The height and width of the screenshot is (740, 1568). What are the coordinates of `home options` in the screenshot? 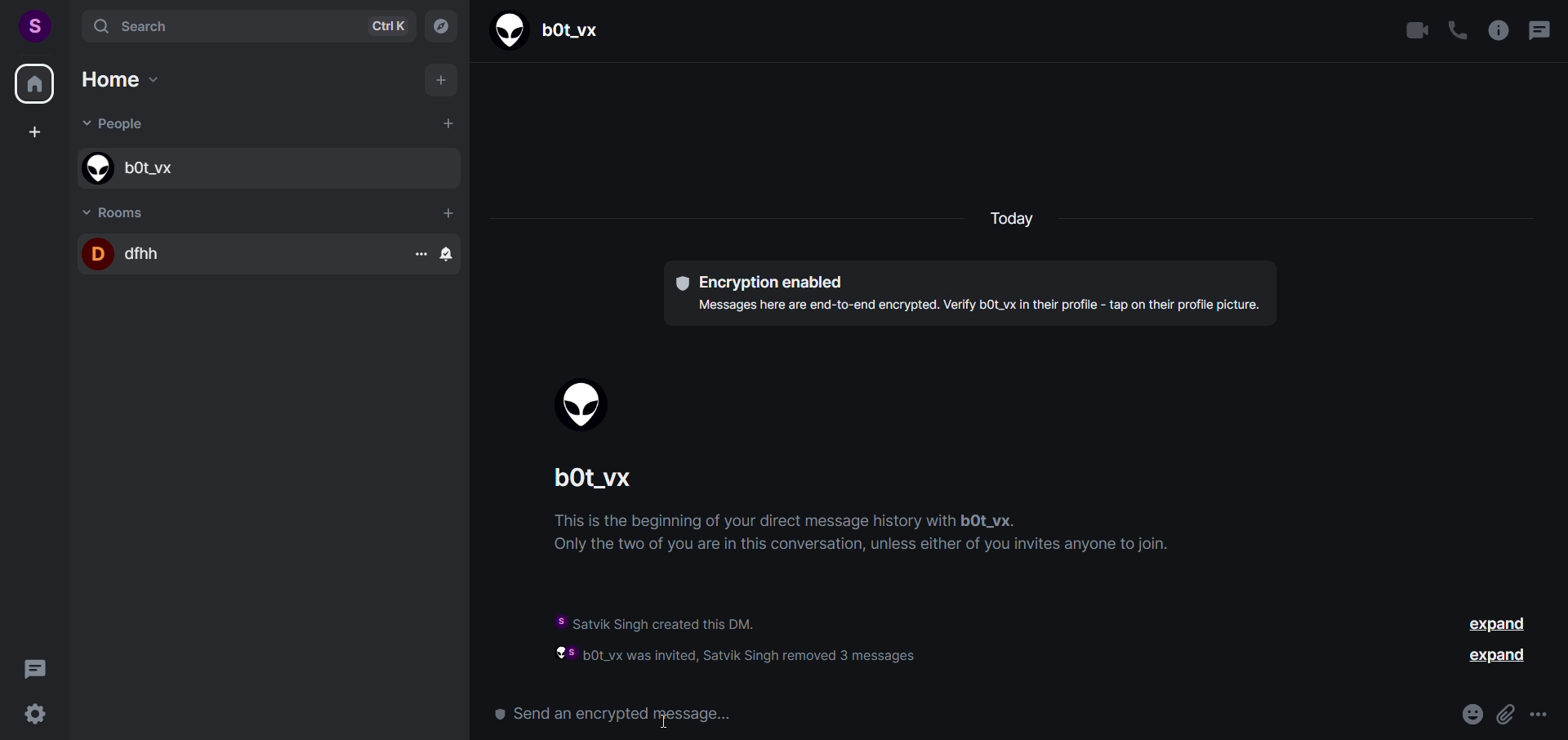 It's located at (134, 83).